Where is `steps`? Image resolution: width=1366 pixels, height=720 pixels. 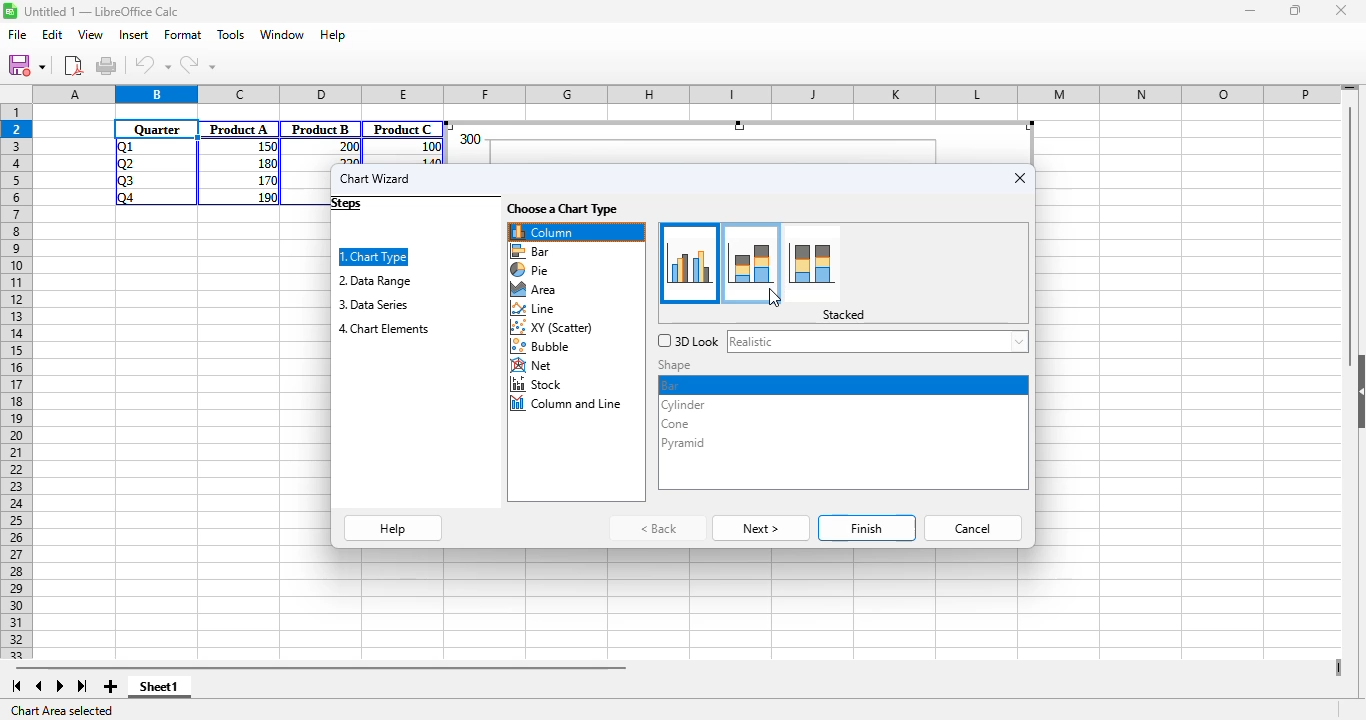
steps is located at coordinates (347, 204).